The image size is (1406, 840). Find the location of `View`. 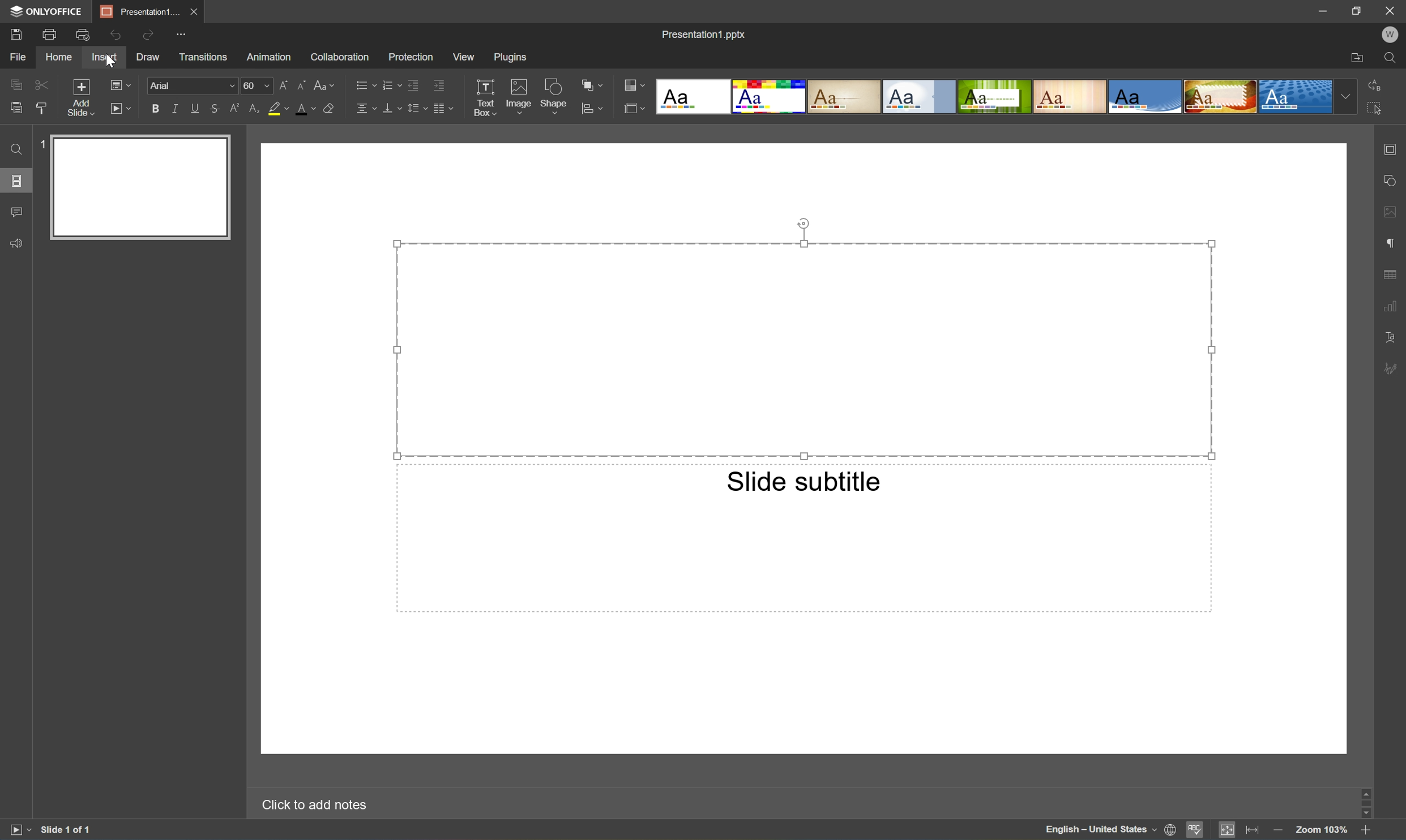

View is located at coordinates (464, 57).